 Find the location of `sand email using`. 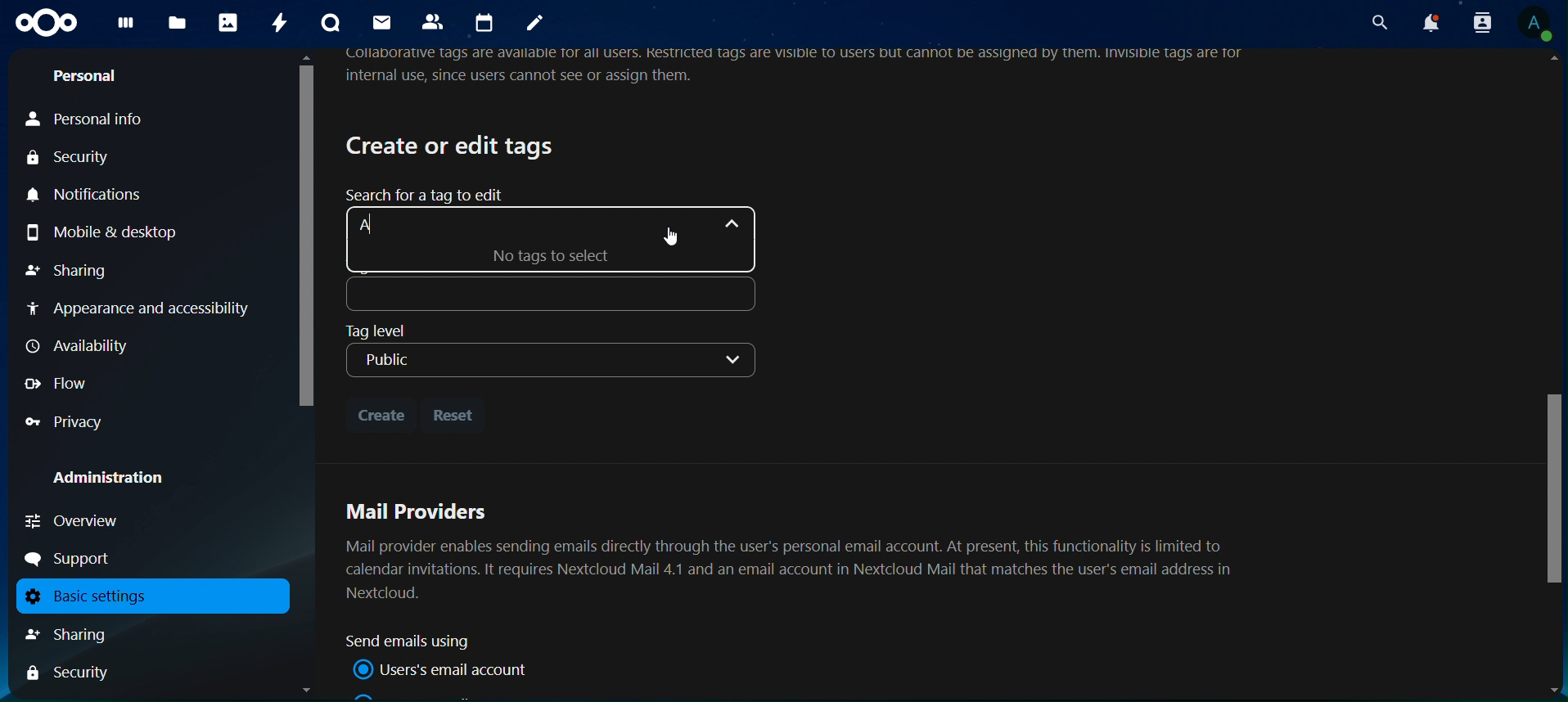

sand email using is located at coordinates (415, 641).